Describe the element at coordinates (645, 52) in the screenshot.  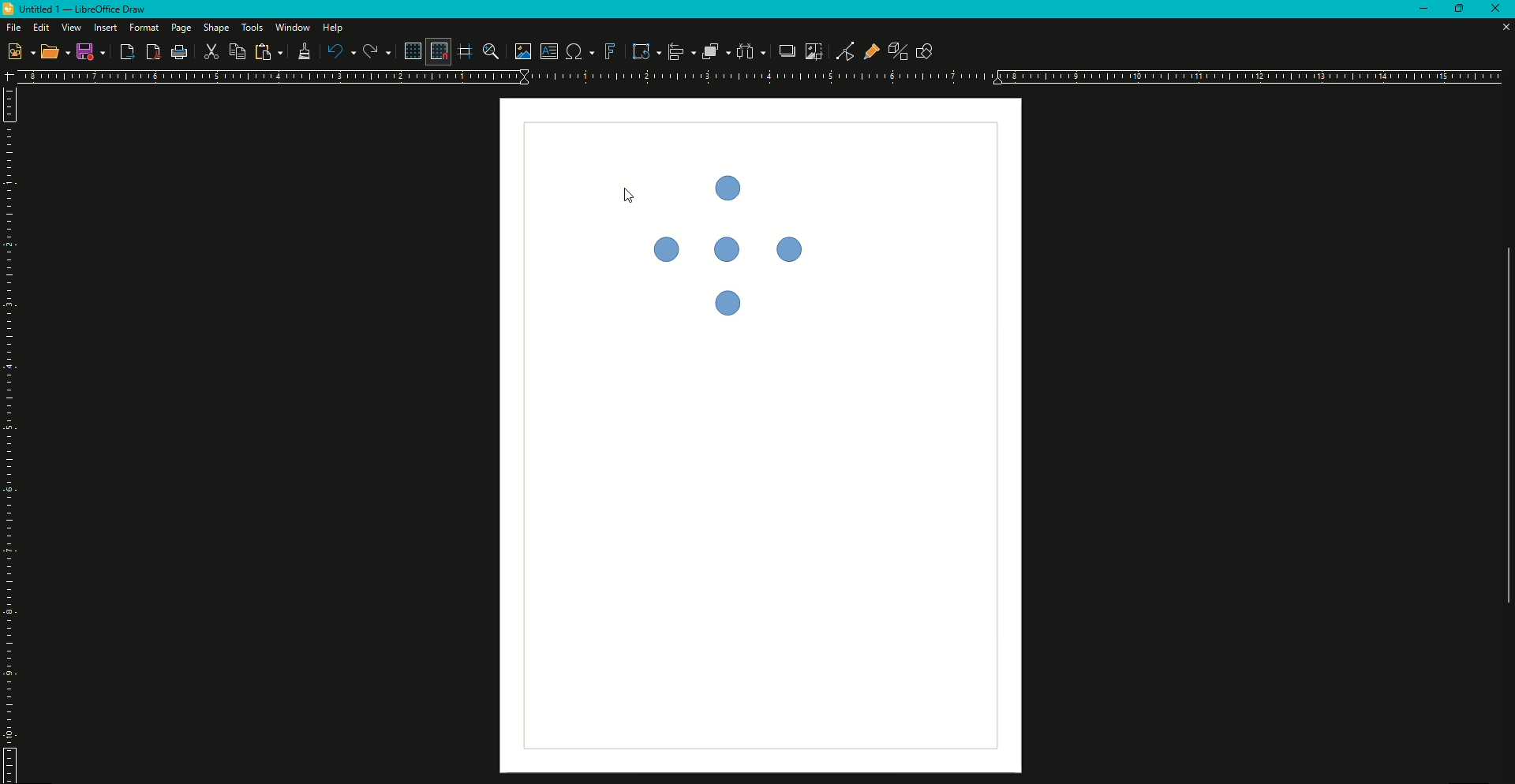
I see `Transformation` at that location.